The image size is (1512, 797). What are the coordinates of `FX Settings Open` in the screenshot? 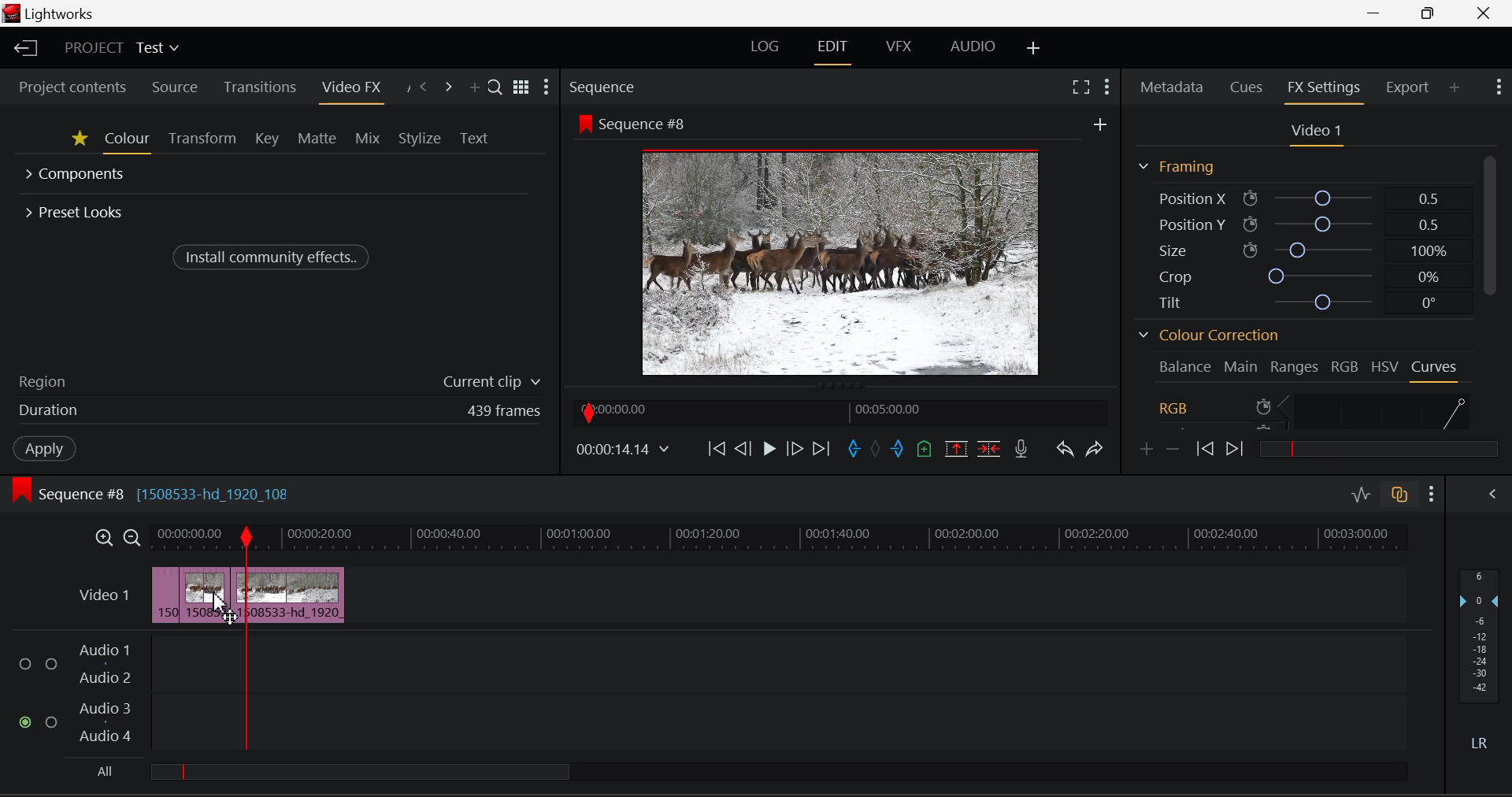 It's located at (1324, 89).